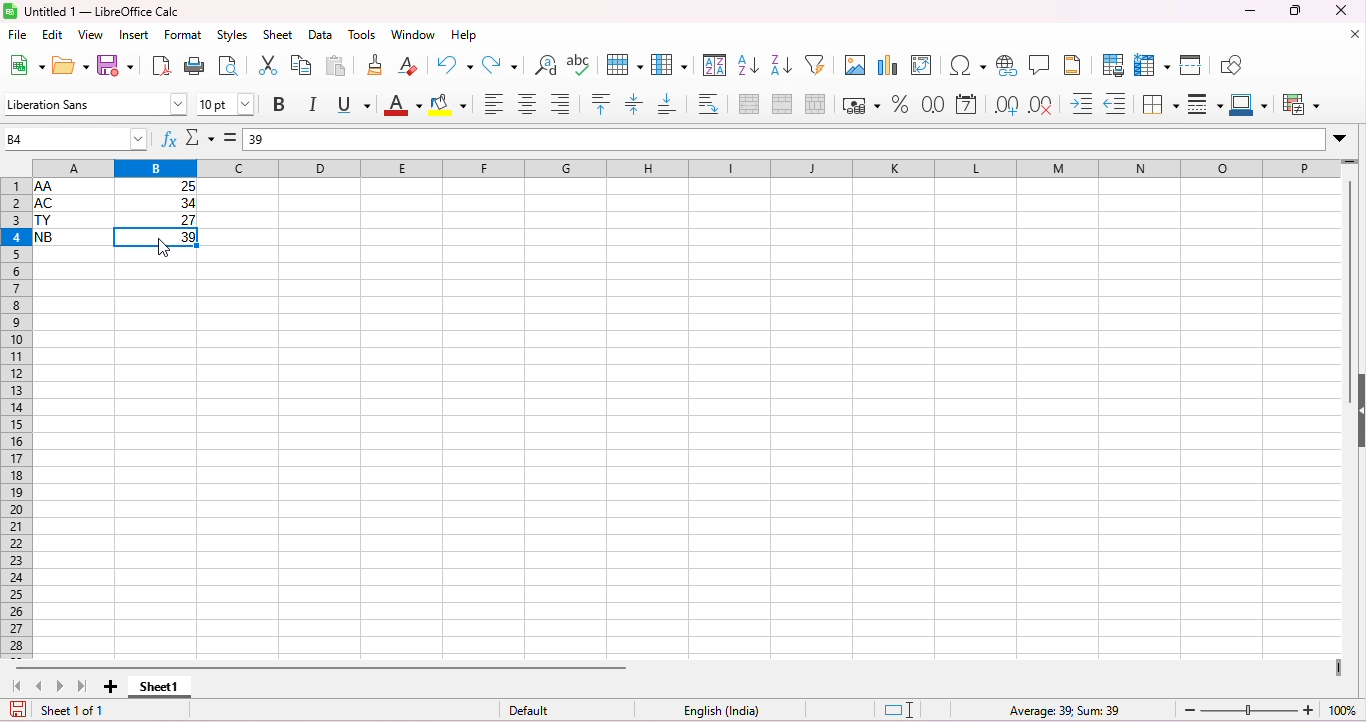  Describe the element at coordinates (1205, 103) in the screenshot. I see `border style` at that location.